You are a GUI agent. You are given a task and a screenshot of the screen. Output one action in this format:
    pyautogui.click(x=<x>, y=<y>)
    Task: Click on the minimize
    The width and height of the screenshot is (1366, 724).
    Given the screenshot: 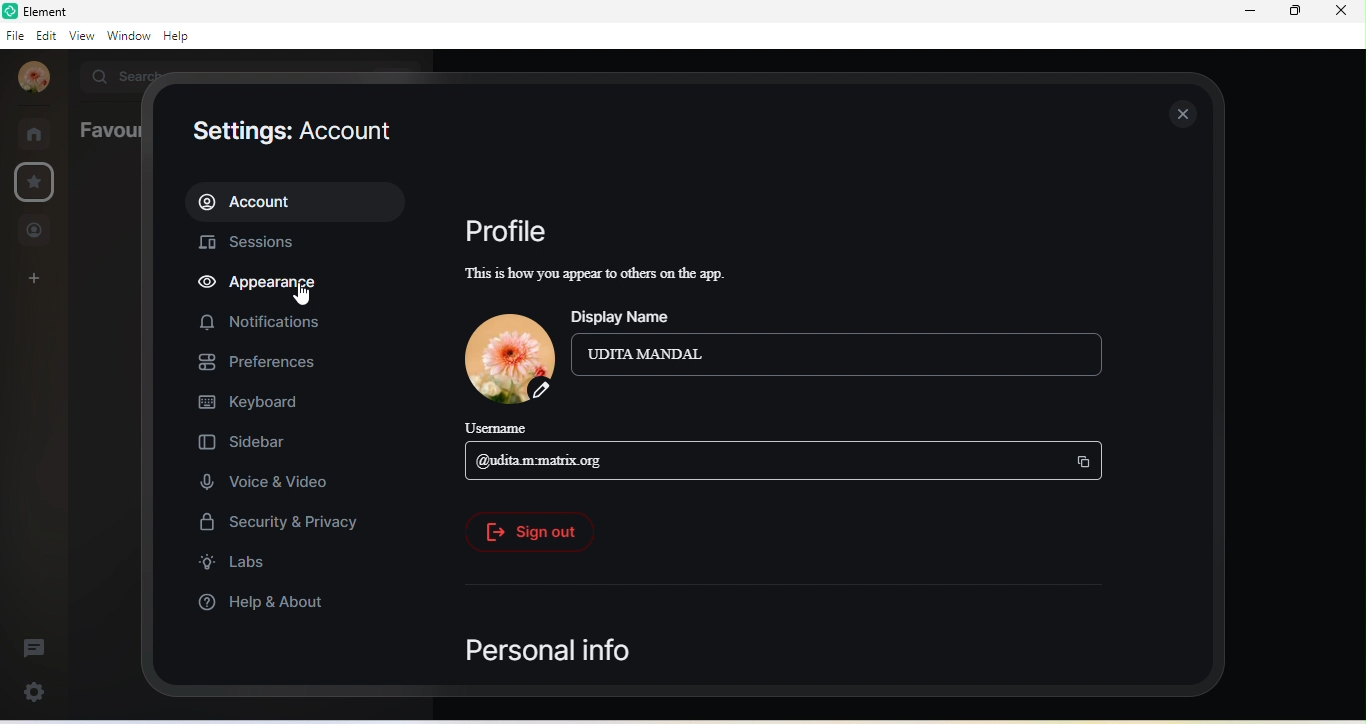 What is the action you would take?
    pyautogui.click(x=1250, y=12)
    